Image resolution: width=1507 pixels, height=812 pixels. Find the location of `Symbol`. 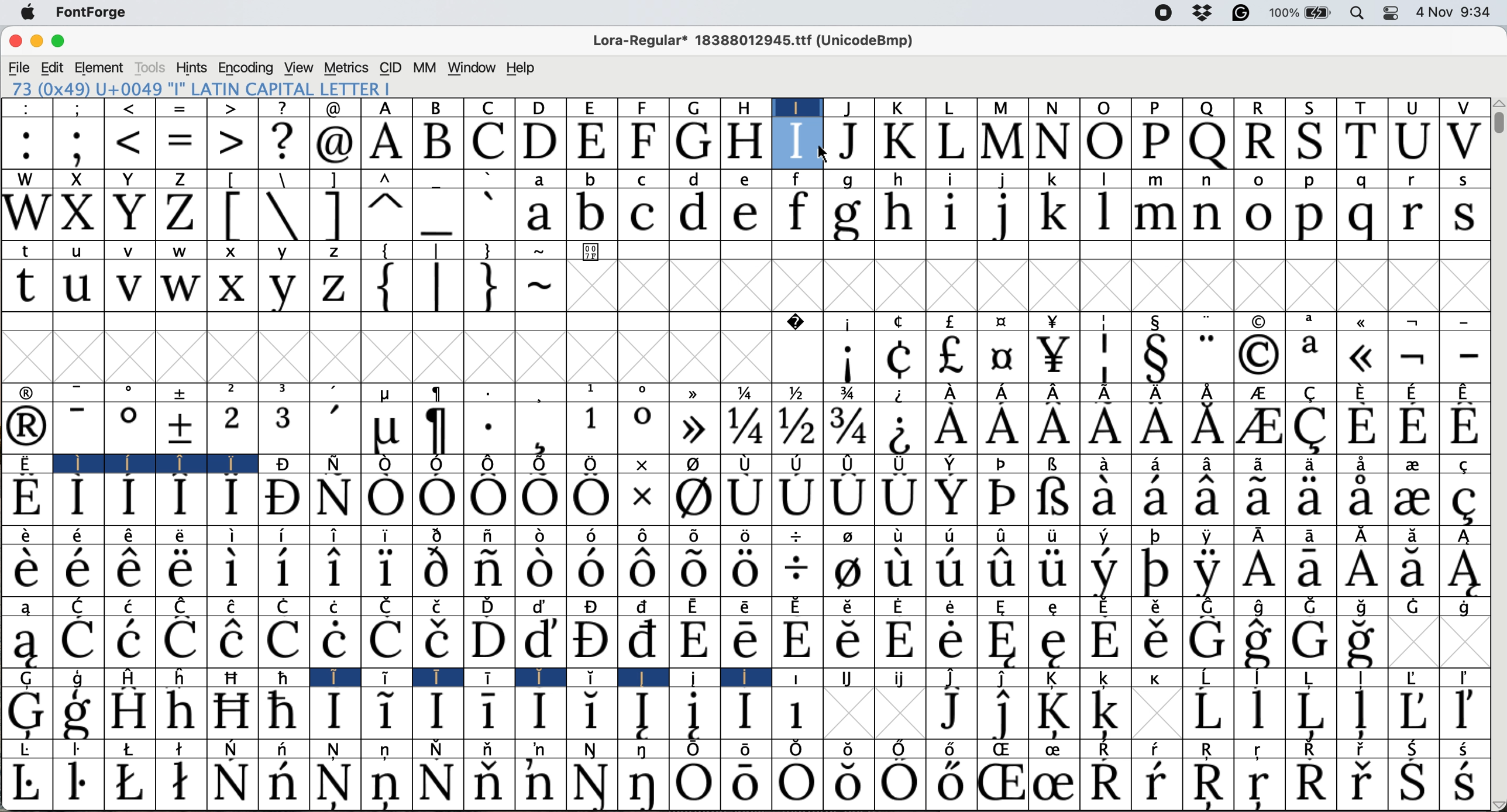

Symbol is located at coordinates (1157, 534).